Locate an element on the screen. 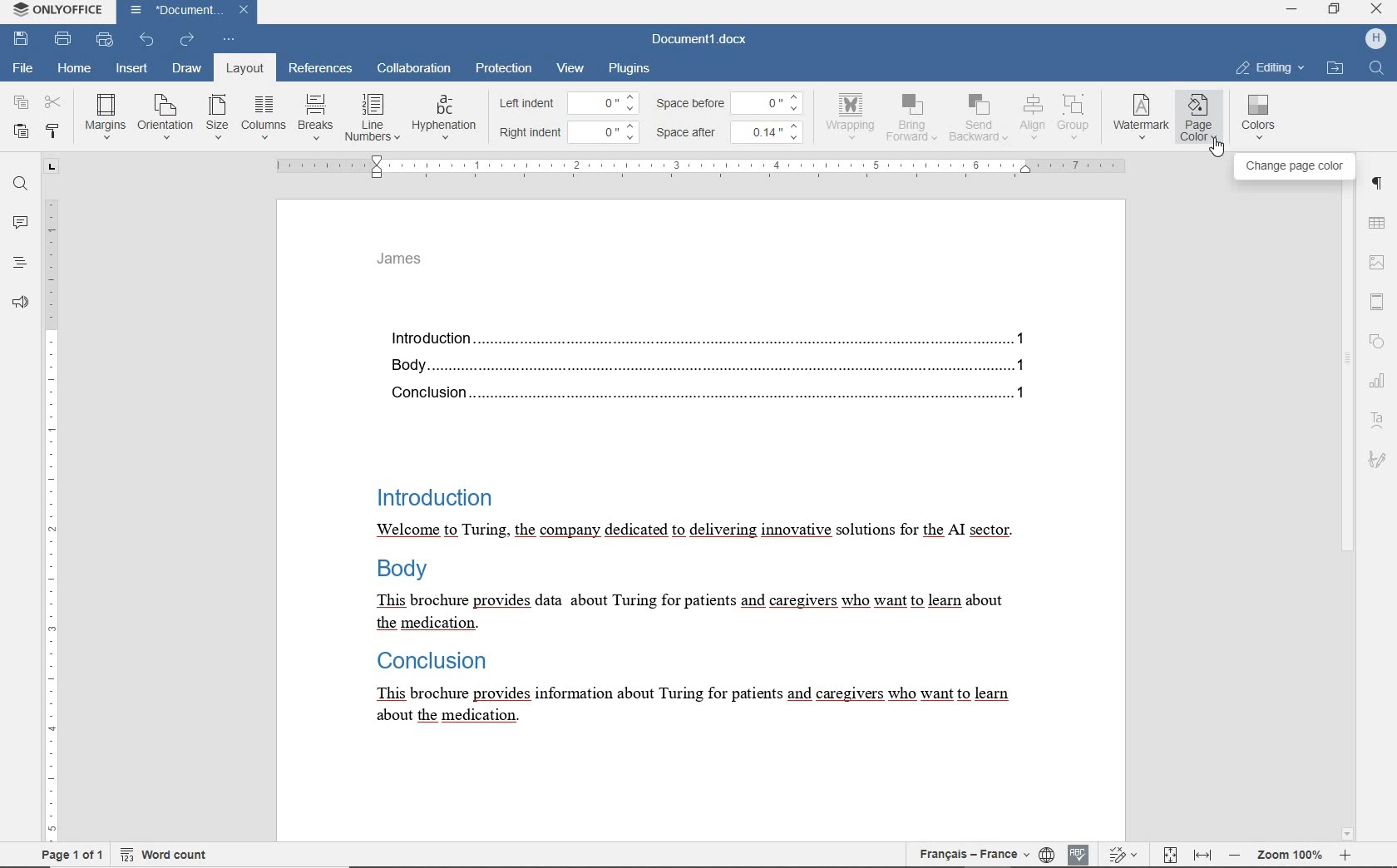 The width and height of the screenshot is (1397, 868). space before is located at coordinates (690, 104).